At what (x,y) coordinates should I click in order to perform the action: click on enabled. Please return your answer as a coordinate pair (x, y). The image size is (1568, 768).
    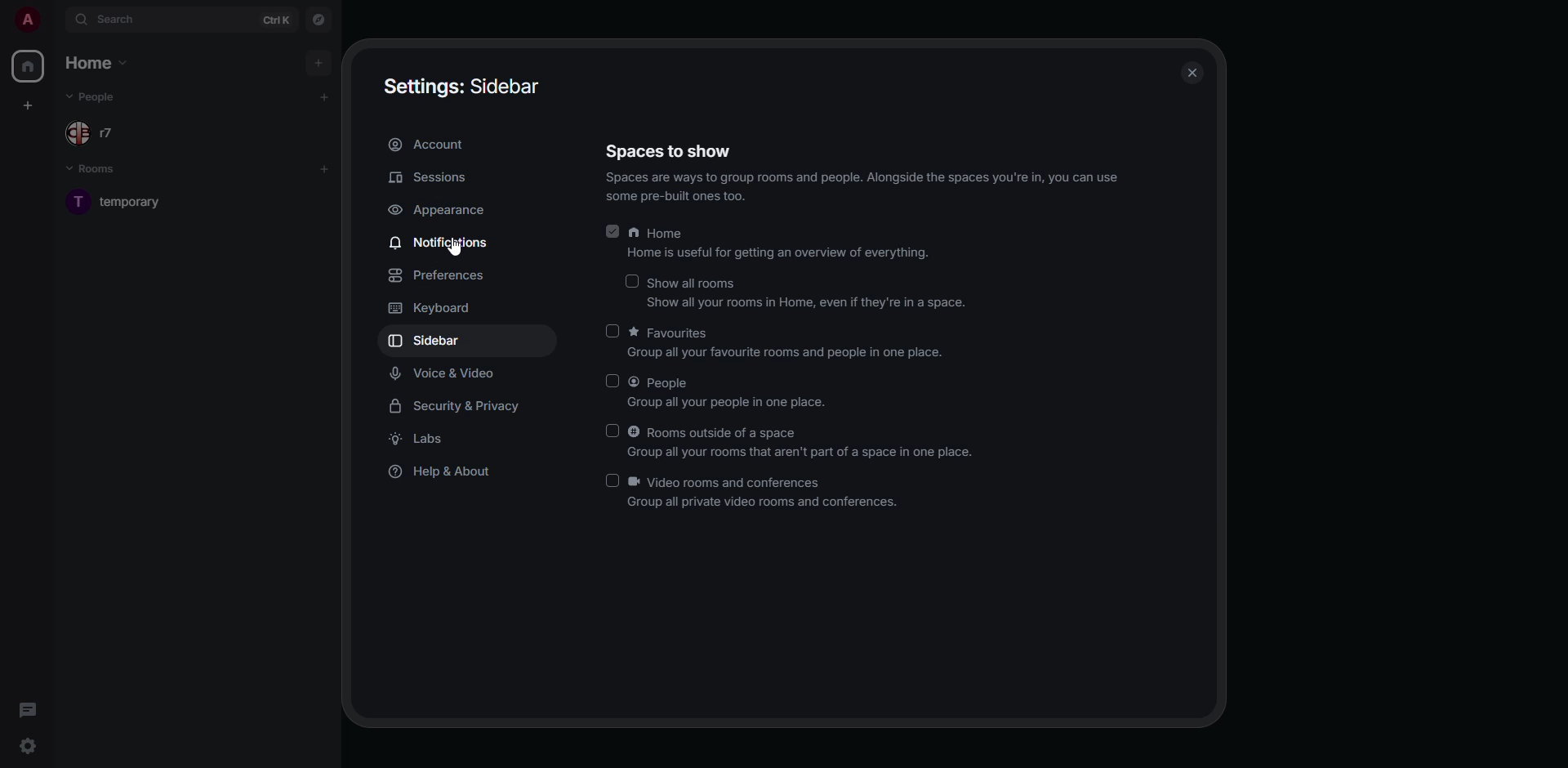
    Looking at the image, I should click on (611, 230).